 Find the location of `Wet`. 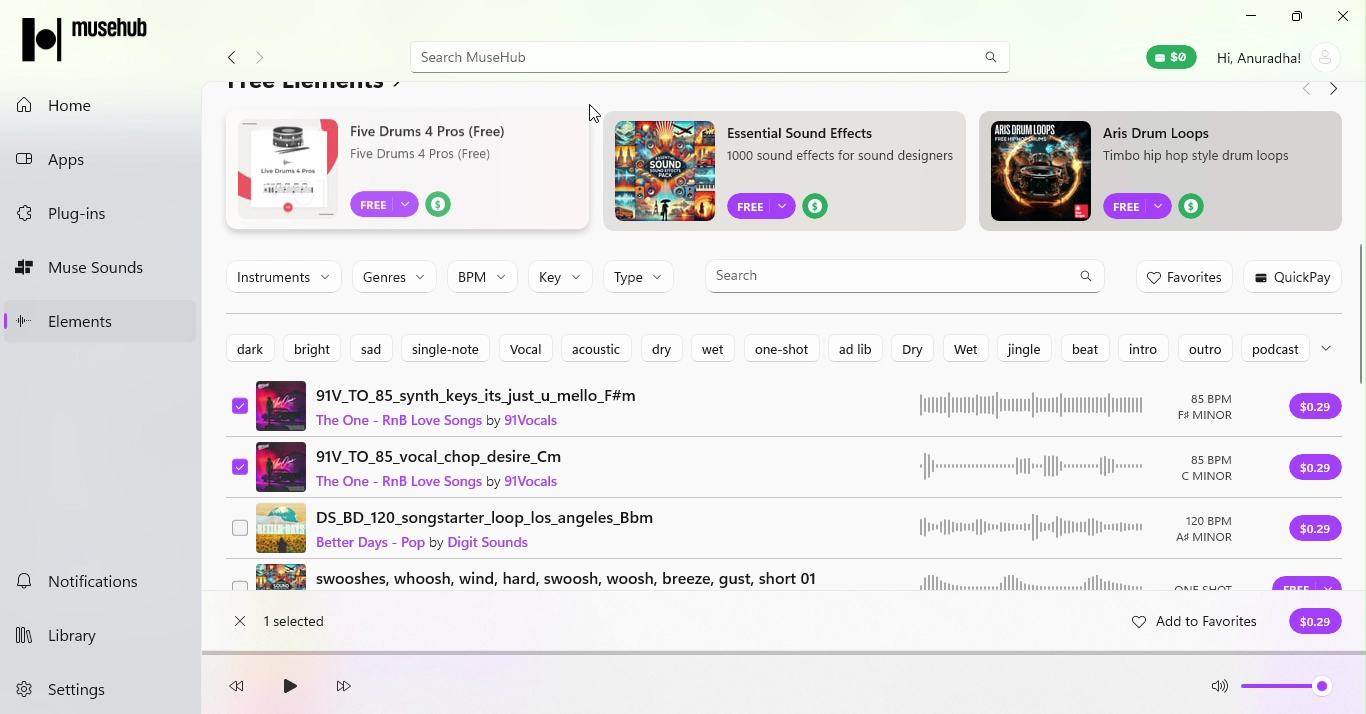

Wet is located at coordinates (717, 350).